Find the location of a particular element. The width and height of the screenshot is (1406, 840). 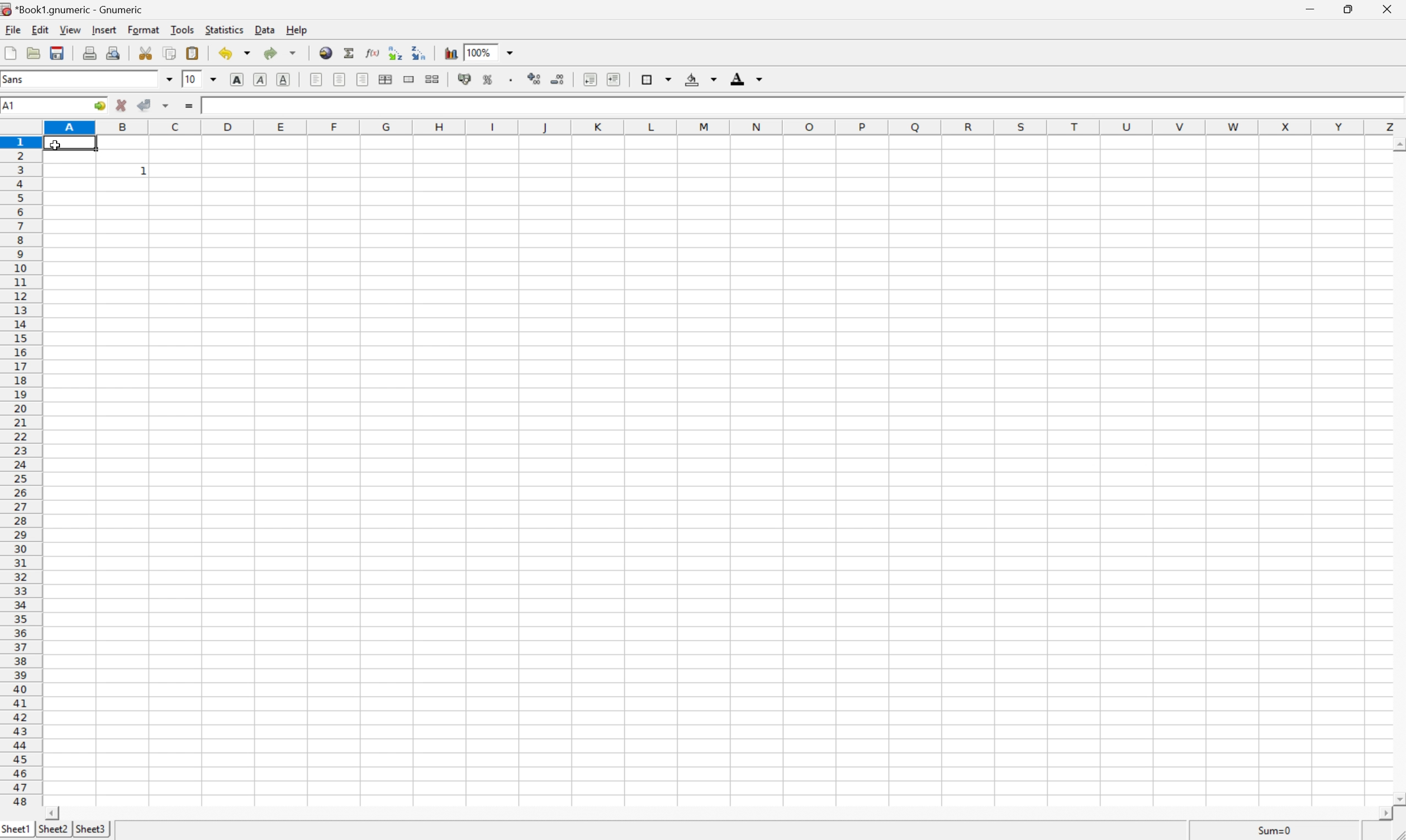

create a new workbook is located at coordinates (10, 54).